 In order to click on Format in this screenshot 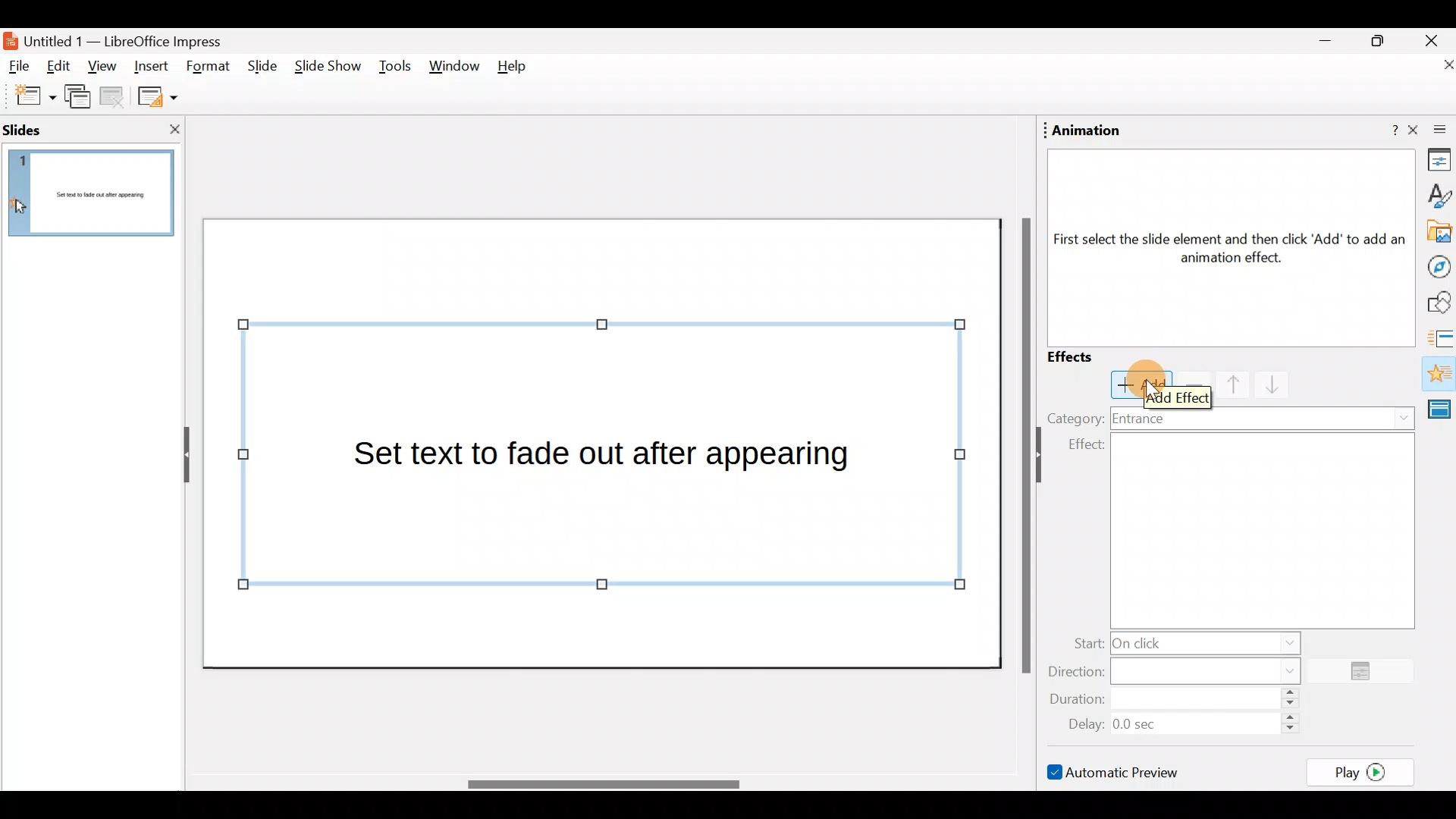, I will do `click(209, 67)`.